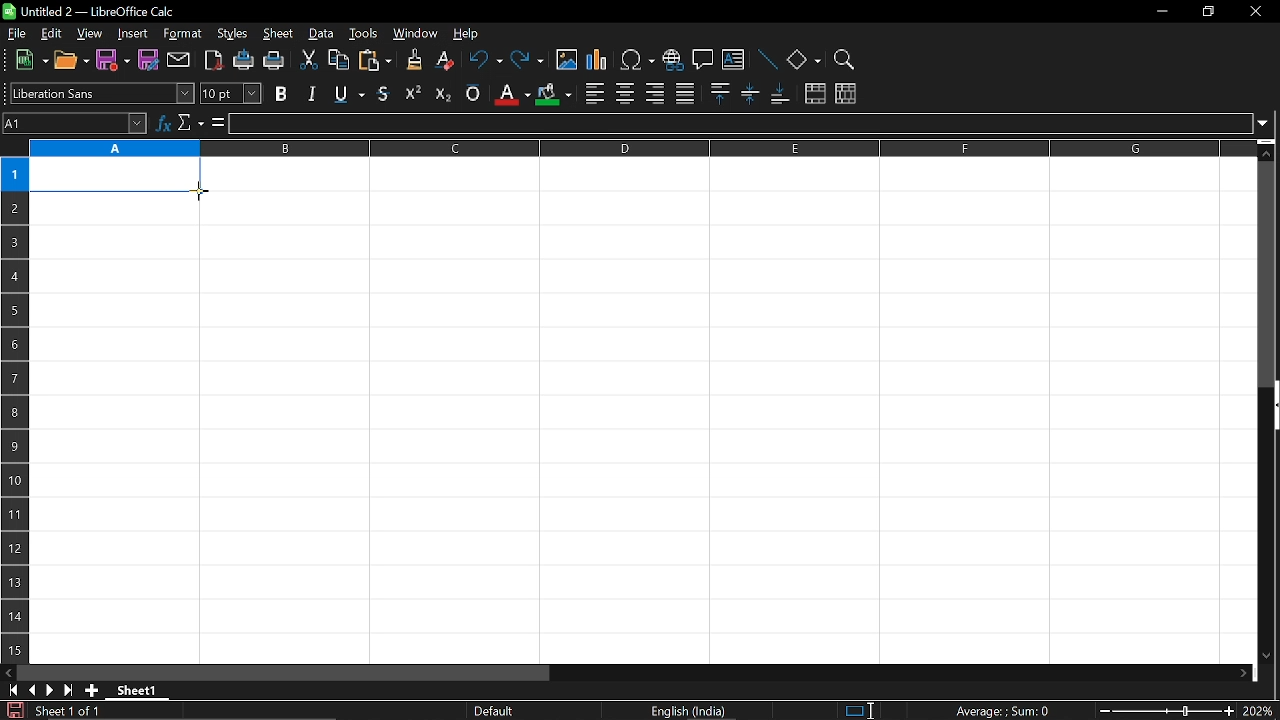 This screenshot has width=1280, height=720. Describe the element at coordinates (12, 387) in the screenshot. I see `rows` at that location.